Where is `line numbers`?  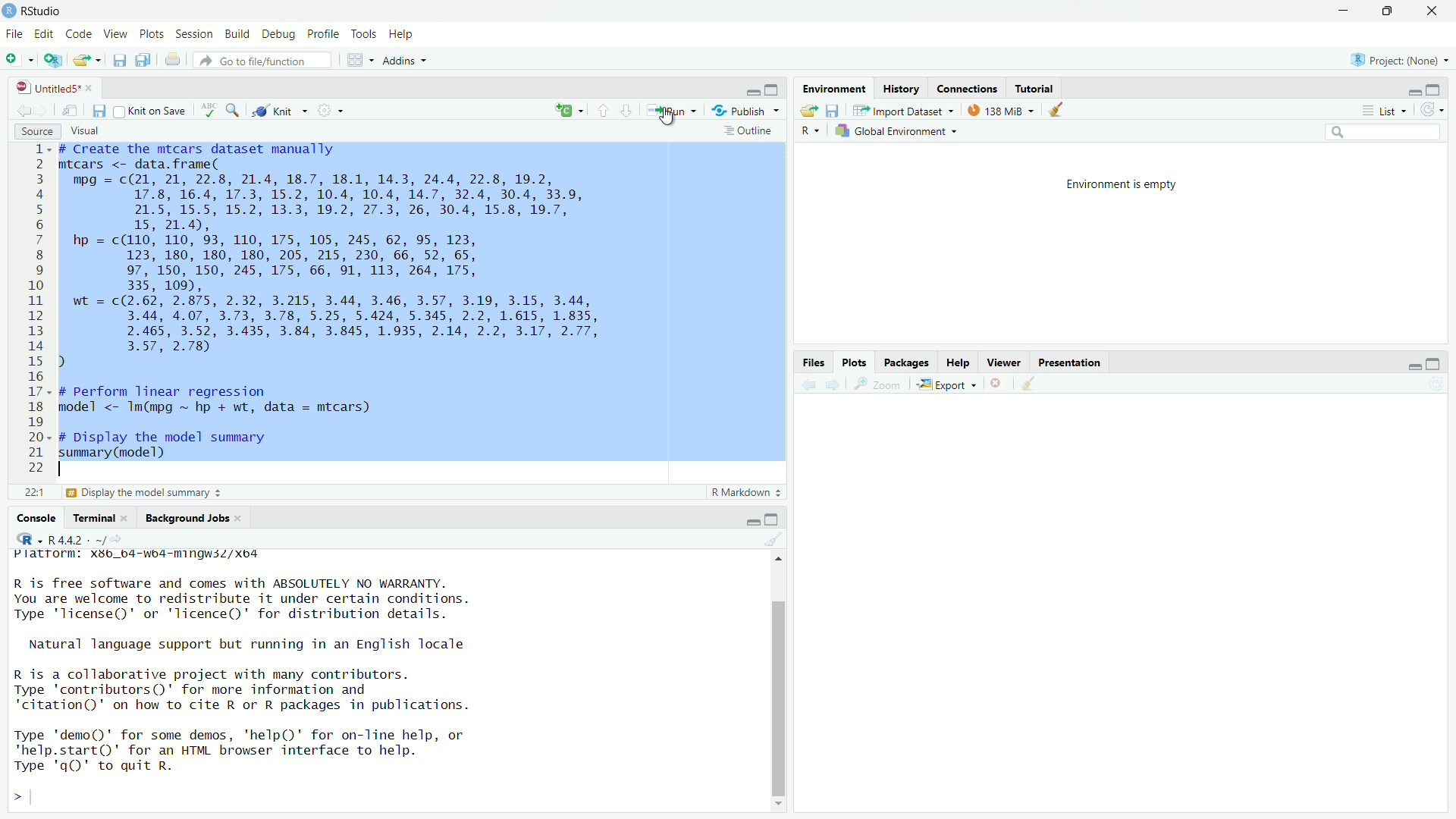
line numbers is located at coordinates (38, 309).